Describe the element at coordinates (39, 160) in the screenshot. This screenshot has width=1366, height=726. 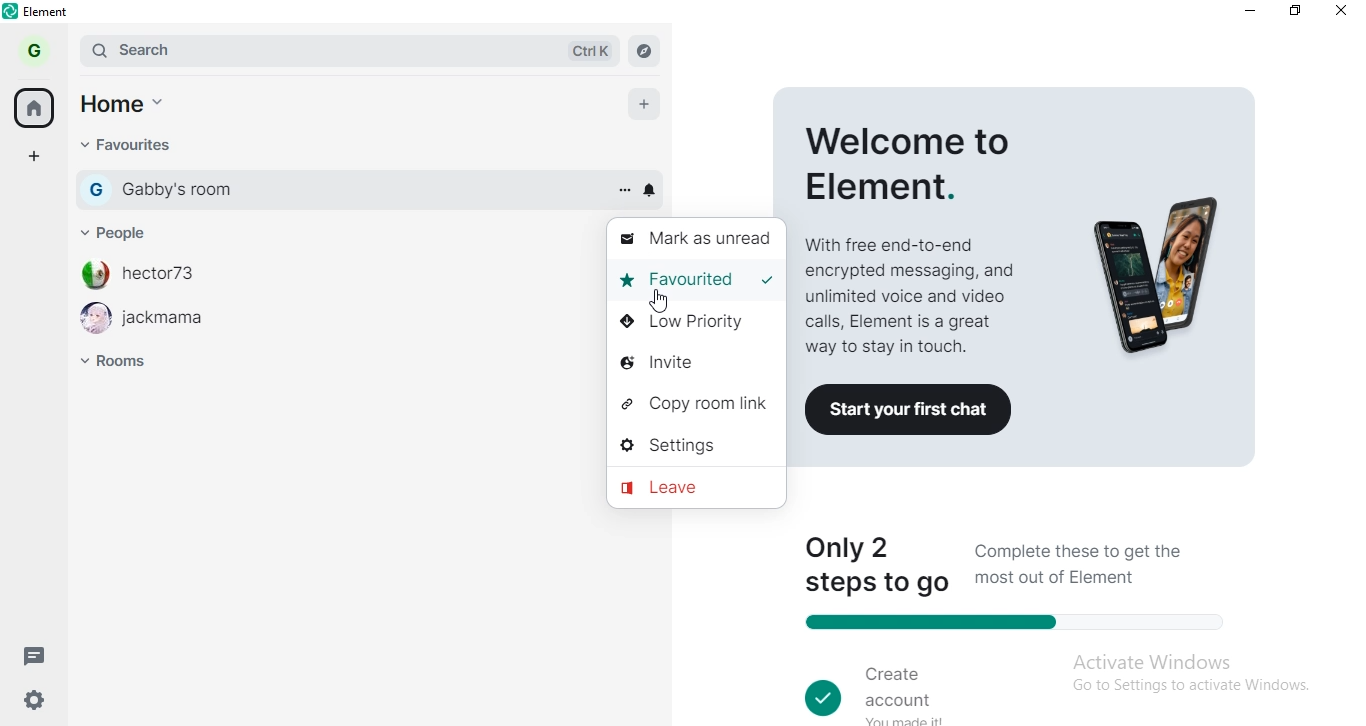
I see `add space` at that location.